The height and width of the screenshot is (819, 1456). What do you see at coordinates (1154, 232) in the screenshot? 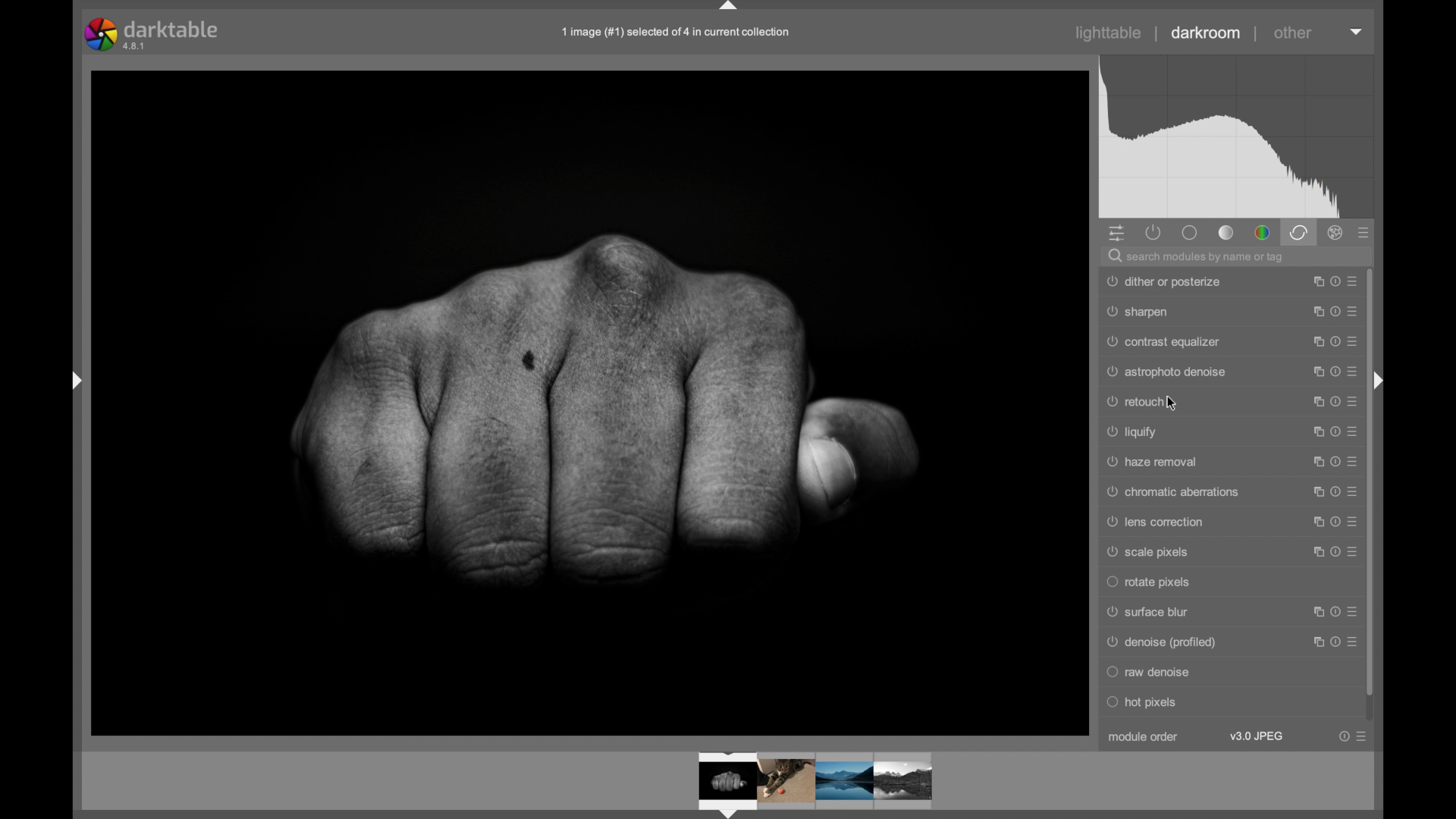
I see `show active modules only` at bounding box center [1154, 232].